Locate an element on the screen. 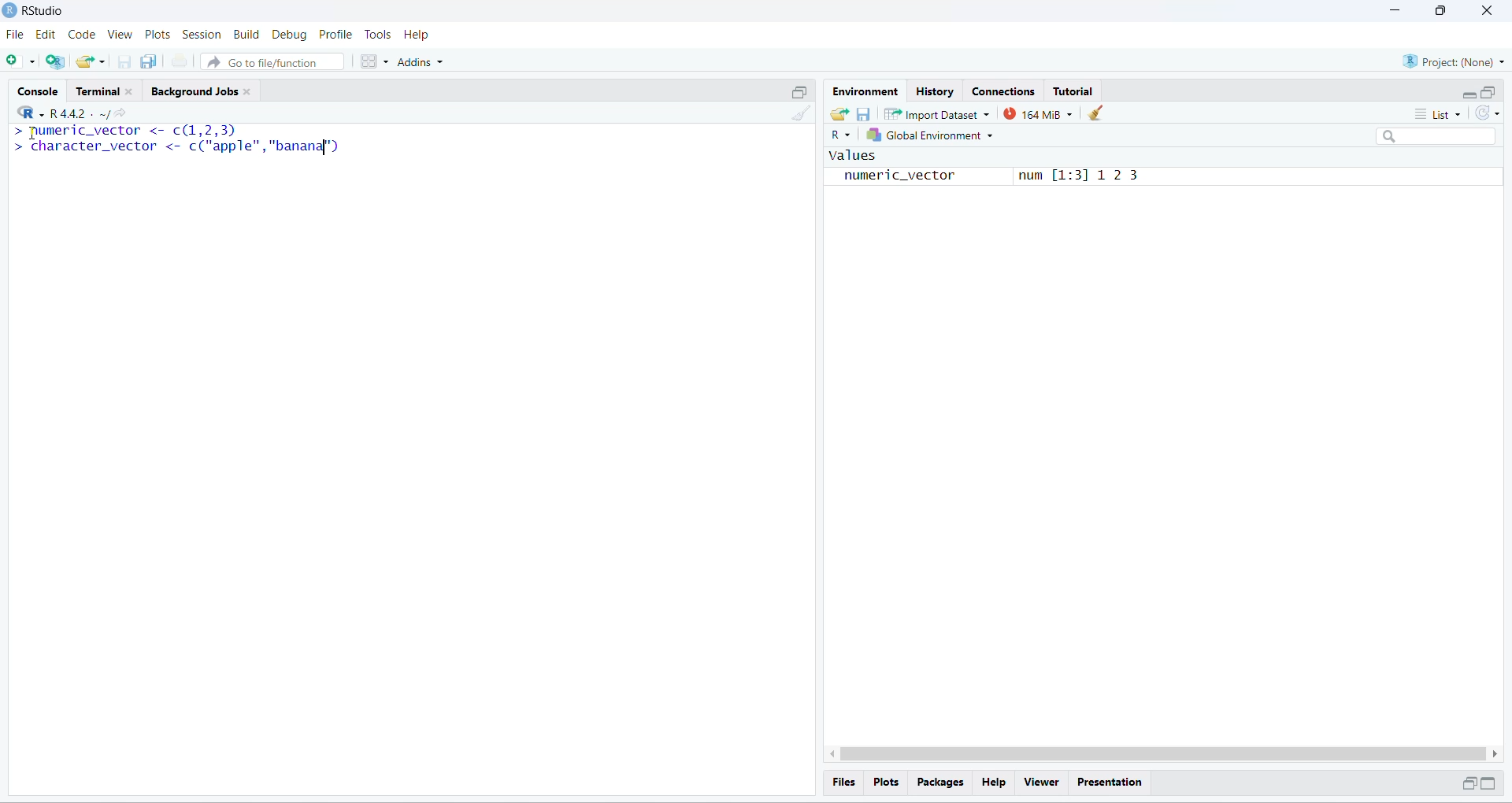 The width and height of the screenshot is (1512, 803). Background Jobs is located at coordinates (205, 90).